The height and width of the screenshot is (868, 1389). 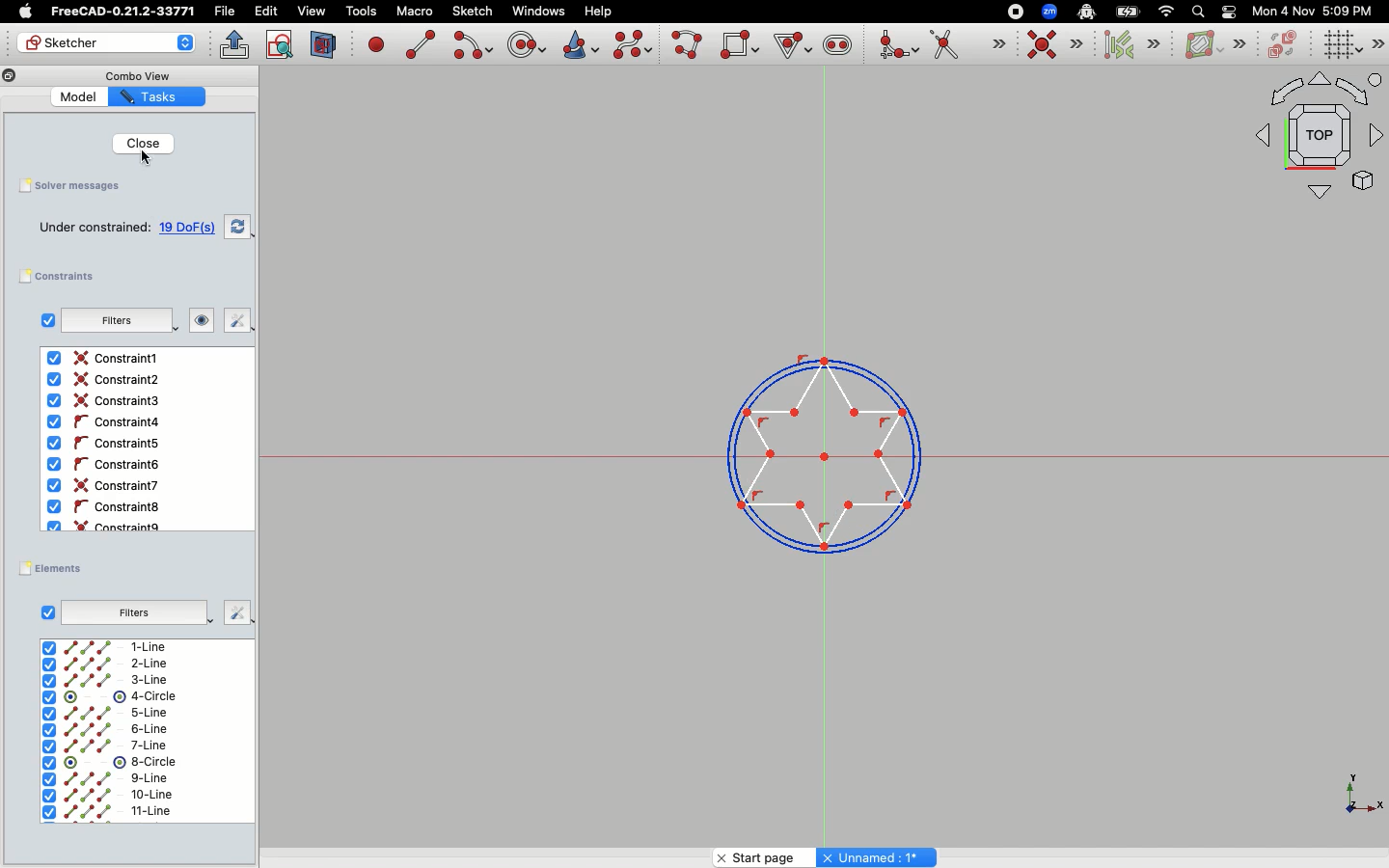 What do you see at coordinates (527, 42) in the screenshot?
I see `Create circle` at bounding box center [527, 42].